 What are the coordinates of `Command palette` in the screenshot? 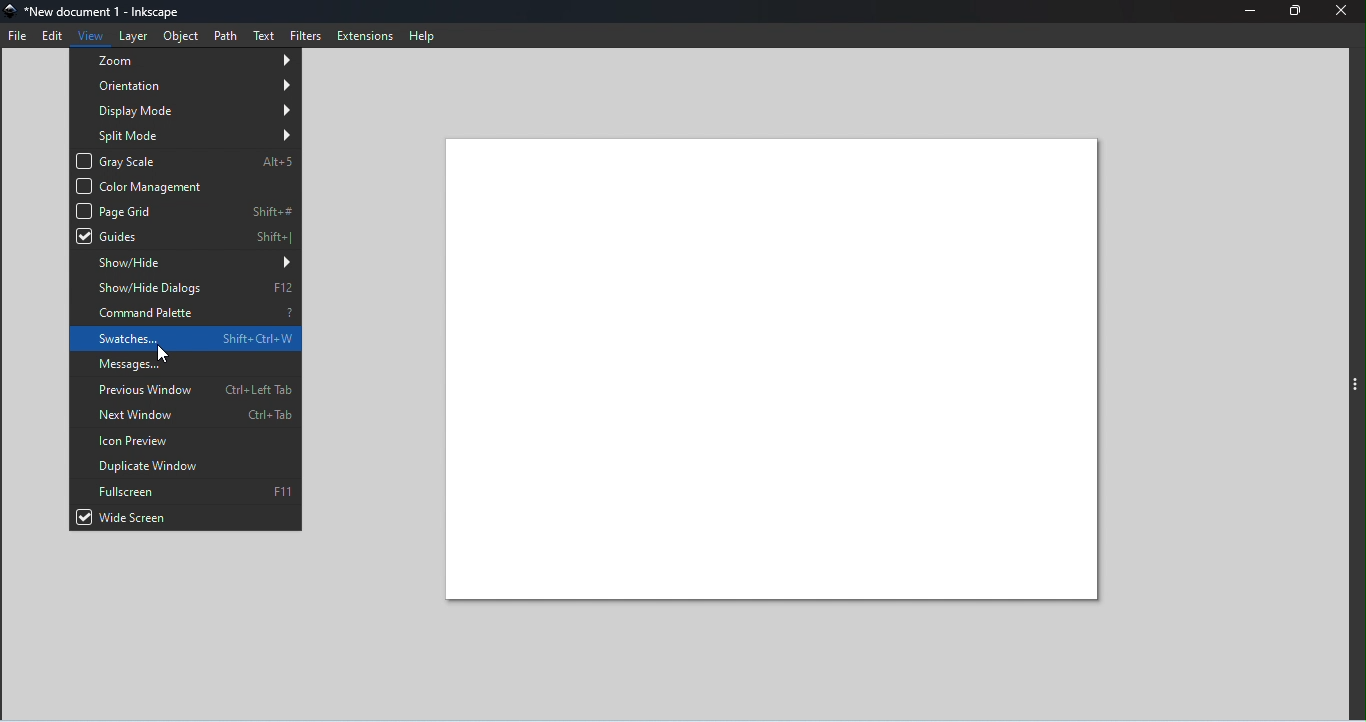 It's located at (185, 311).